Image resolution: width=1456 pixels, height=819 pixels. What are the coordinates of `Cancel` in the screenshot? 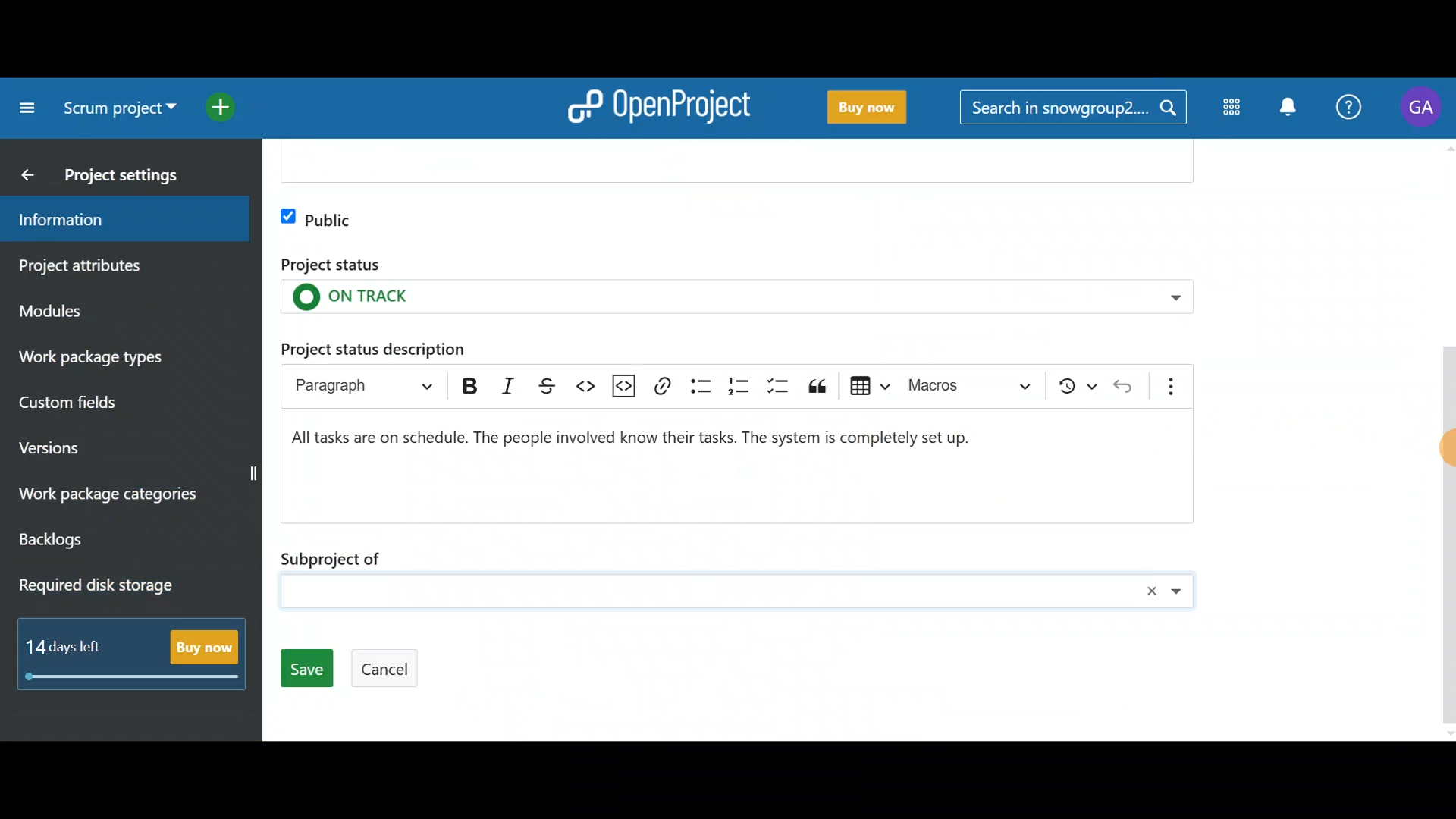 It's located at (379, 673).